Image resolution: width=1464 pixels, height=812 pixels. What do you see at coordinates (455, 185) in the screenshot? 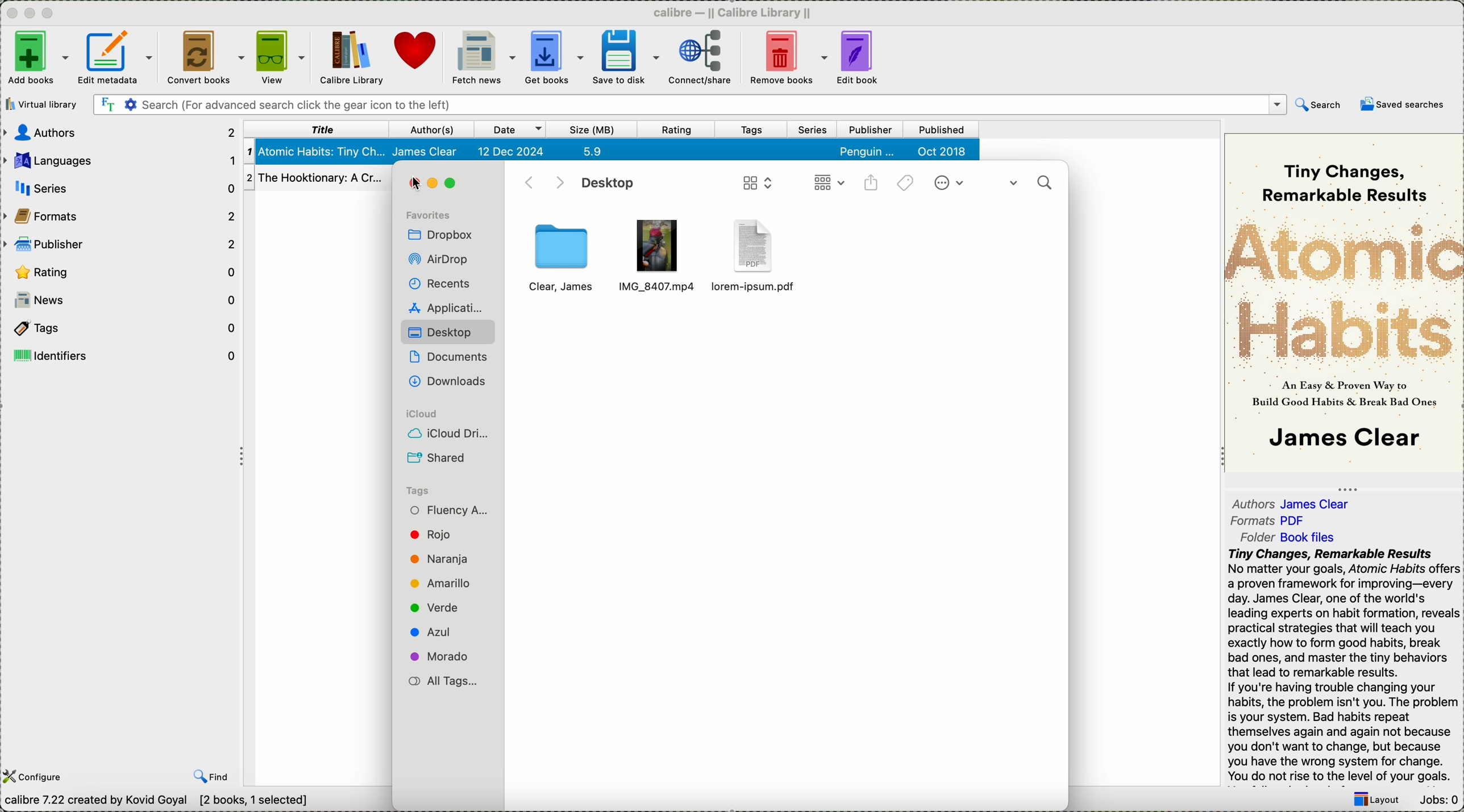
I see `maximize` at bounding box center [455, 185].